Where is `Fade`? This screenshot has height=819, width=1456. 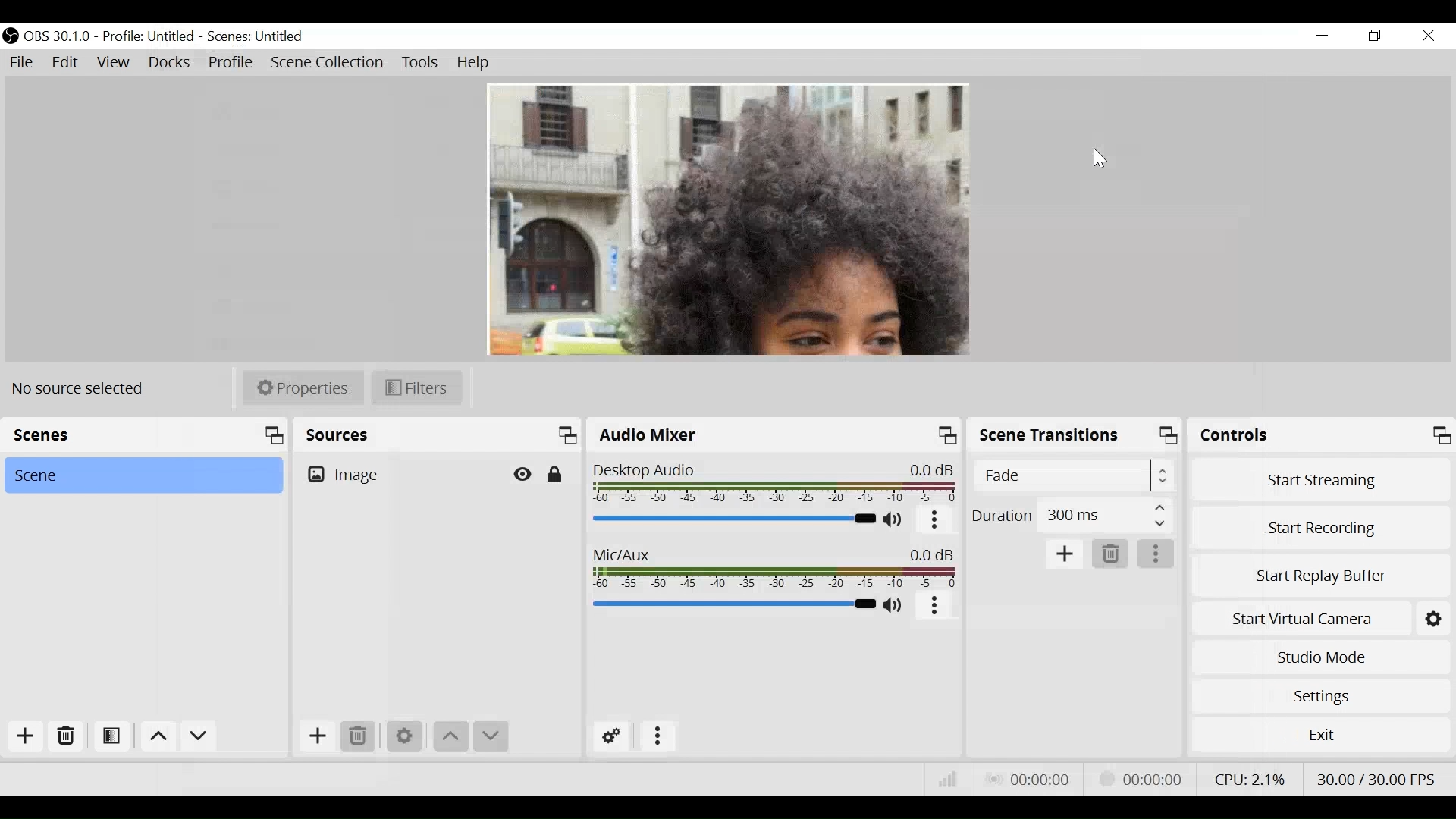
Fade is located at coordinates (1072, 475).